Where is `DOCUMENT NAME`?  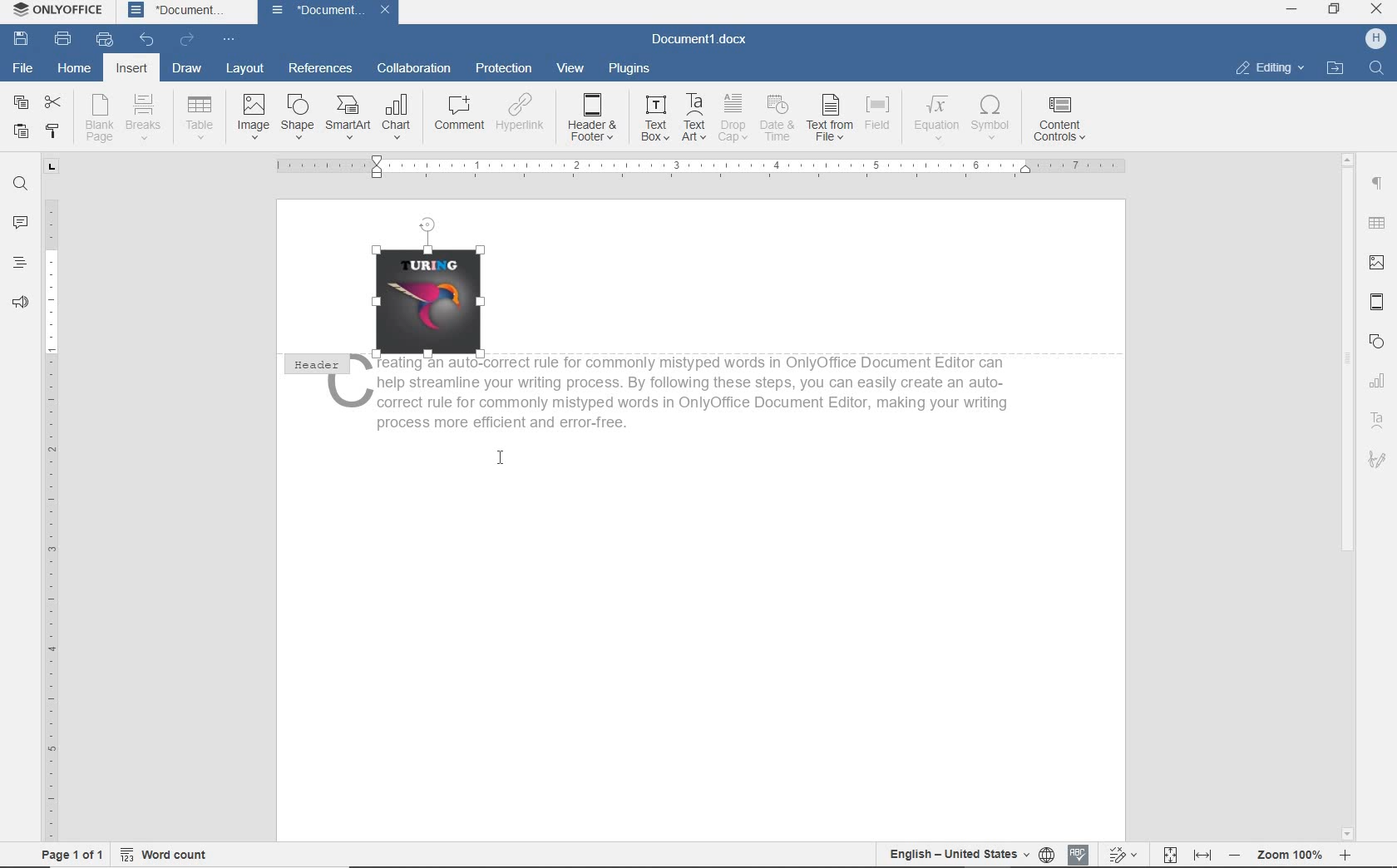 DOCUMENT NAME is located at coordinates (176, 11).